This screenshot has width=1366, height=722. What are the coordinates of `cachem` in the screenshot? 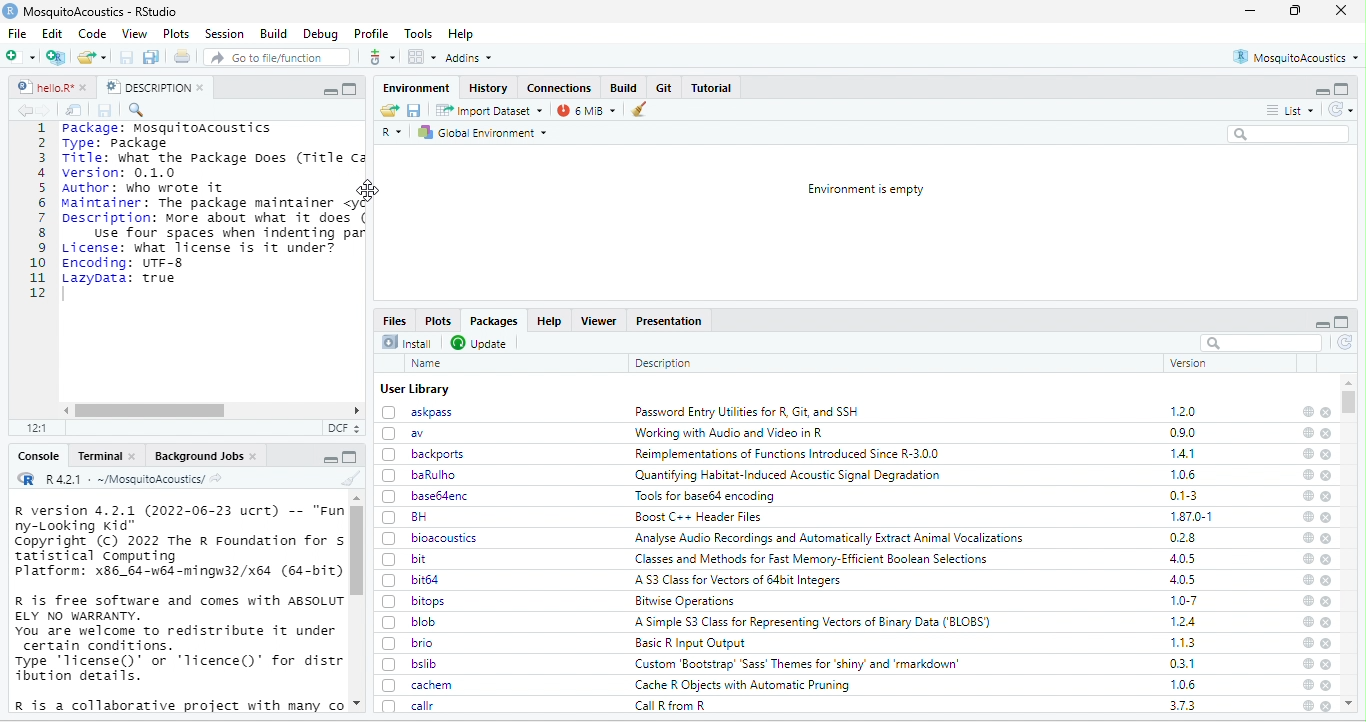 It's located at (416, 685).